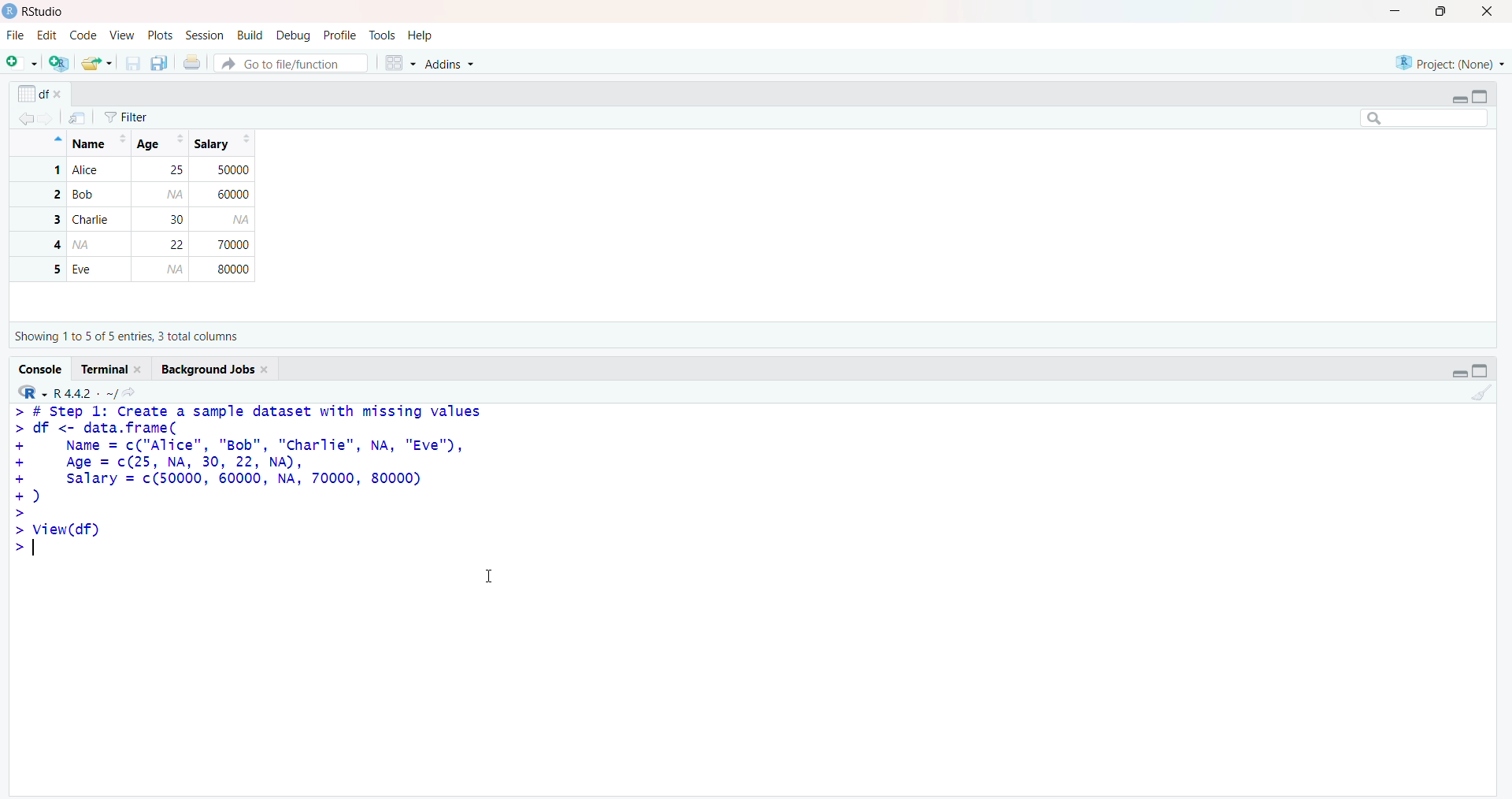 This screenshot has width=1512, height=799. I want to click on R442 -~/, so click(83, 393).